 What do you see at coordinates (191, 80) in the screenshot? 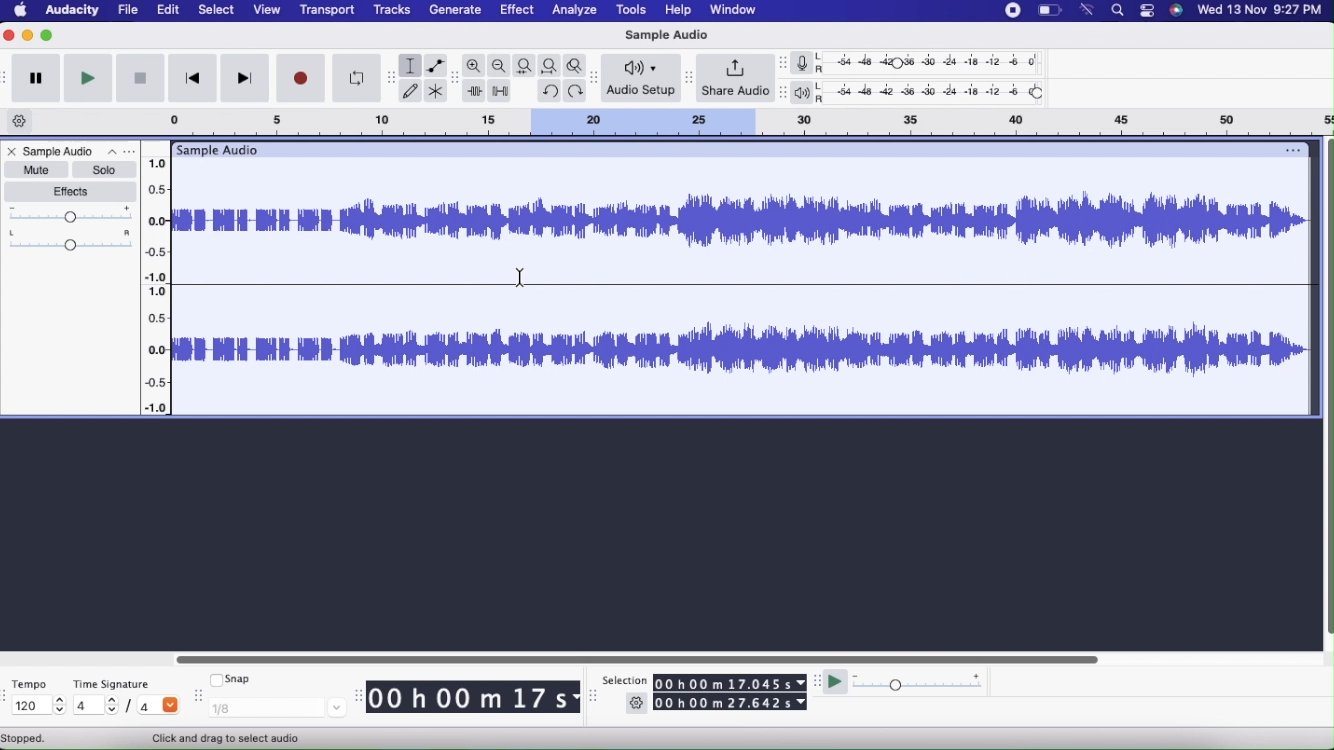
I see `Skip to start` at bounding box center [191, 80].